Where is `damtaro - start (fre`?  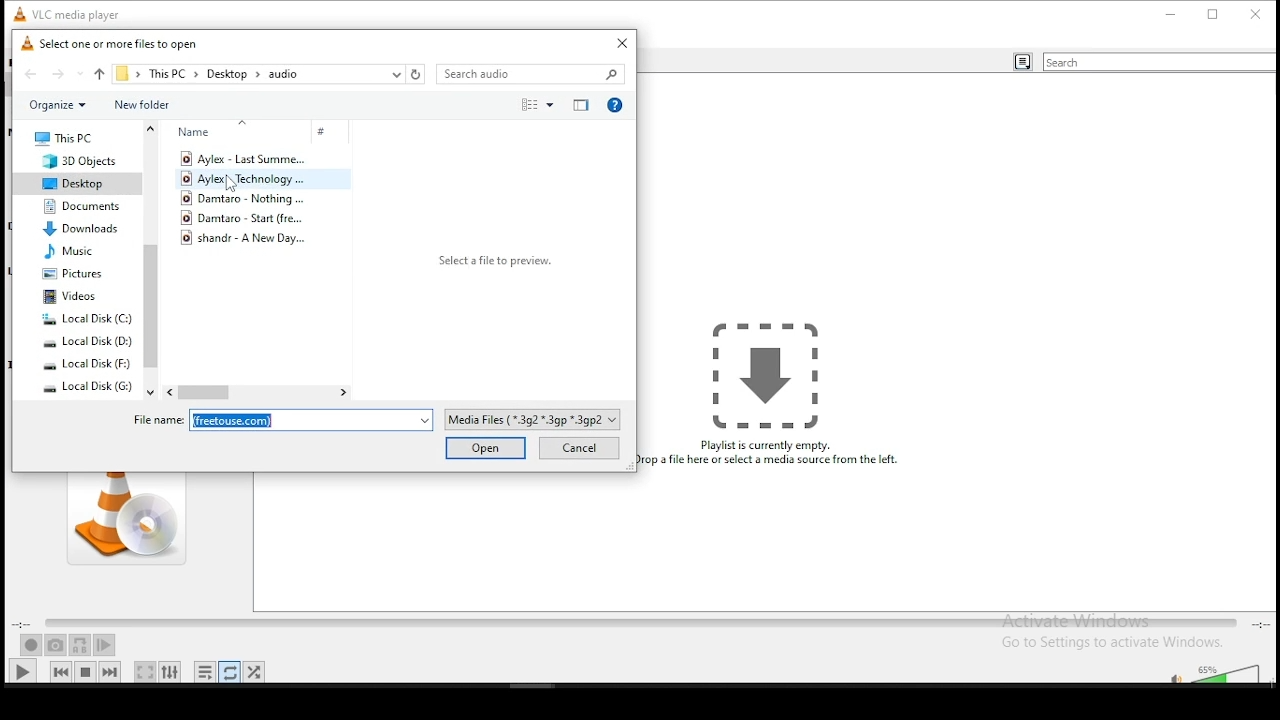
damtaro - start (fre is located at coordinates (252, 217).